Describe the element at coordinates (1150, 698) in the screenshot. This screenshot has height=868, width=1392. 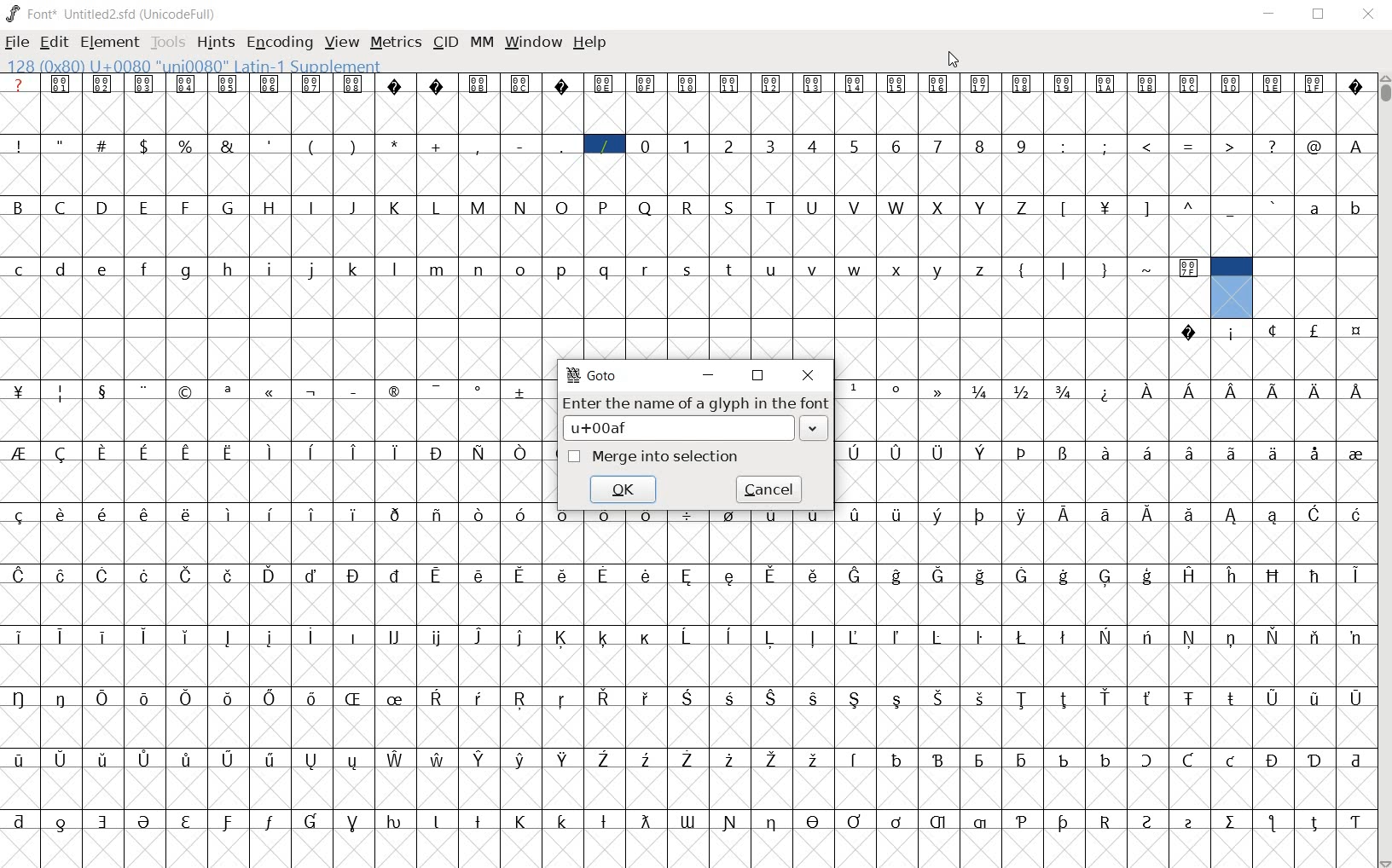
I see `Symbol` at that location.